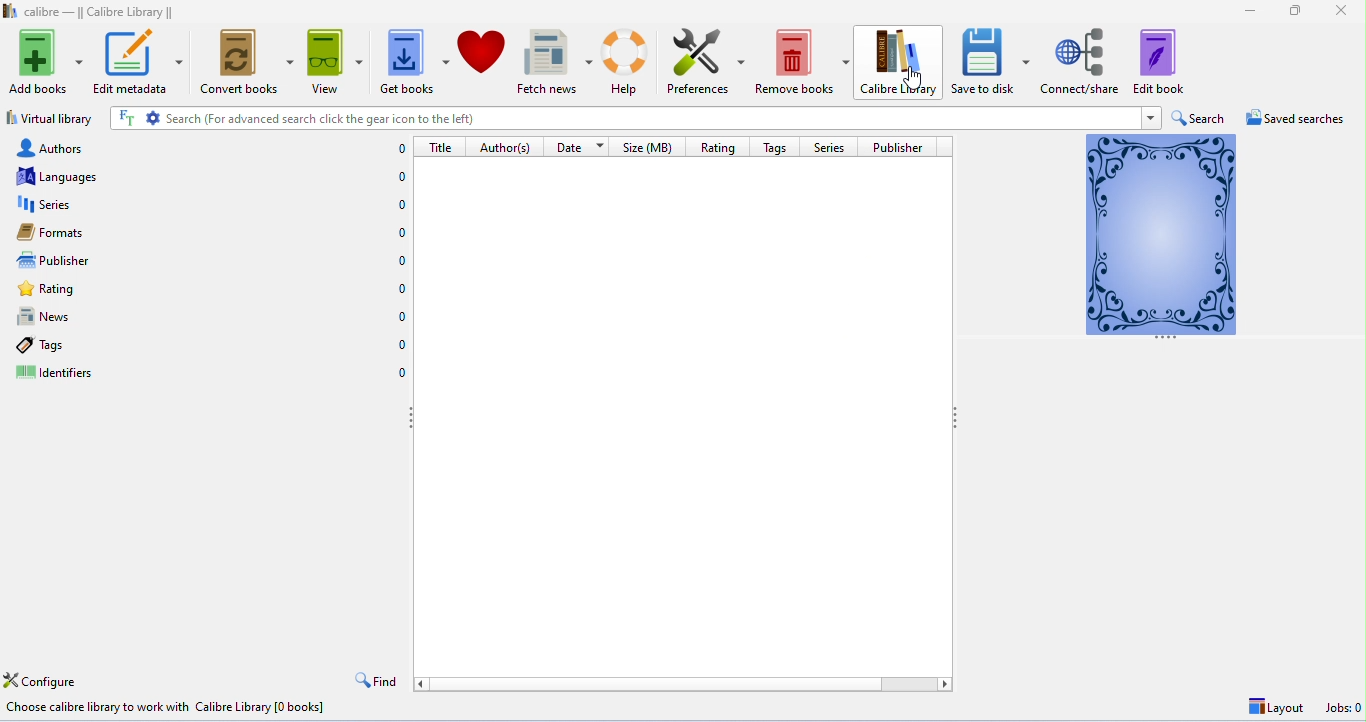  What do you see at coordinates (623, 118) in the screenshot?
I see `search bar` at bounding box center [623, 118].